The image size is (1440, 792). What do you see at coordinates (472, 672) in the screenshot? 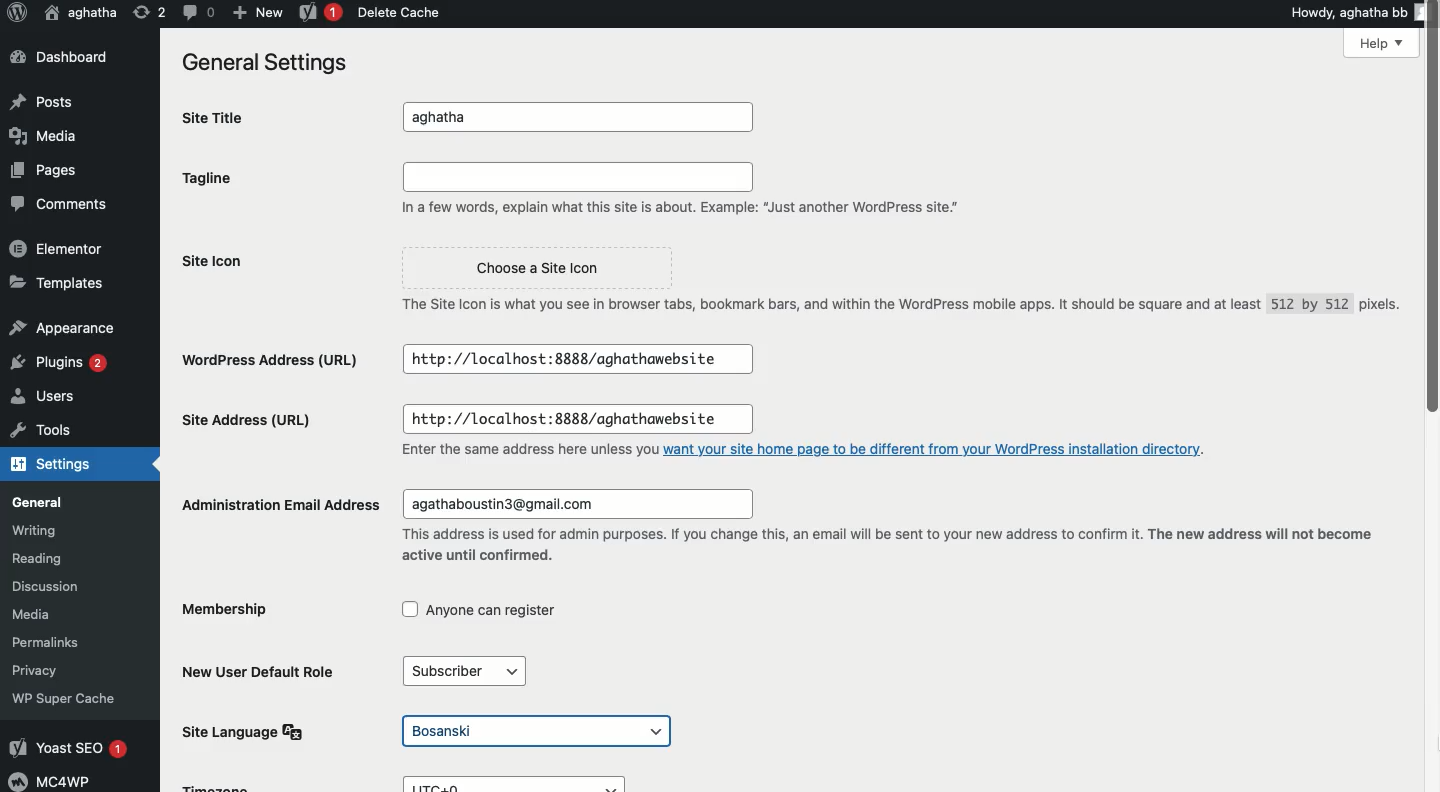
I see `Subscriber` at bounding box center [472, 672].